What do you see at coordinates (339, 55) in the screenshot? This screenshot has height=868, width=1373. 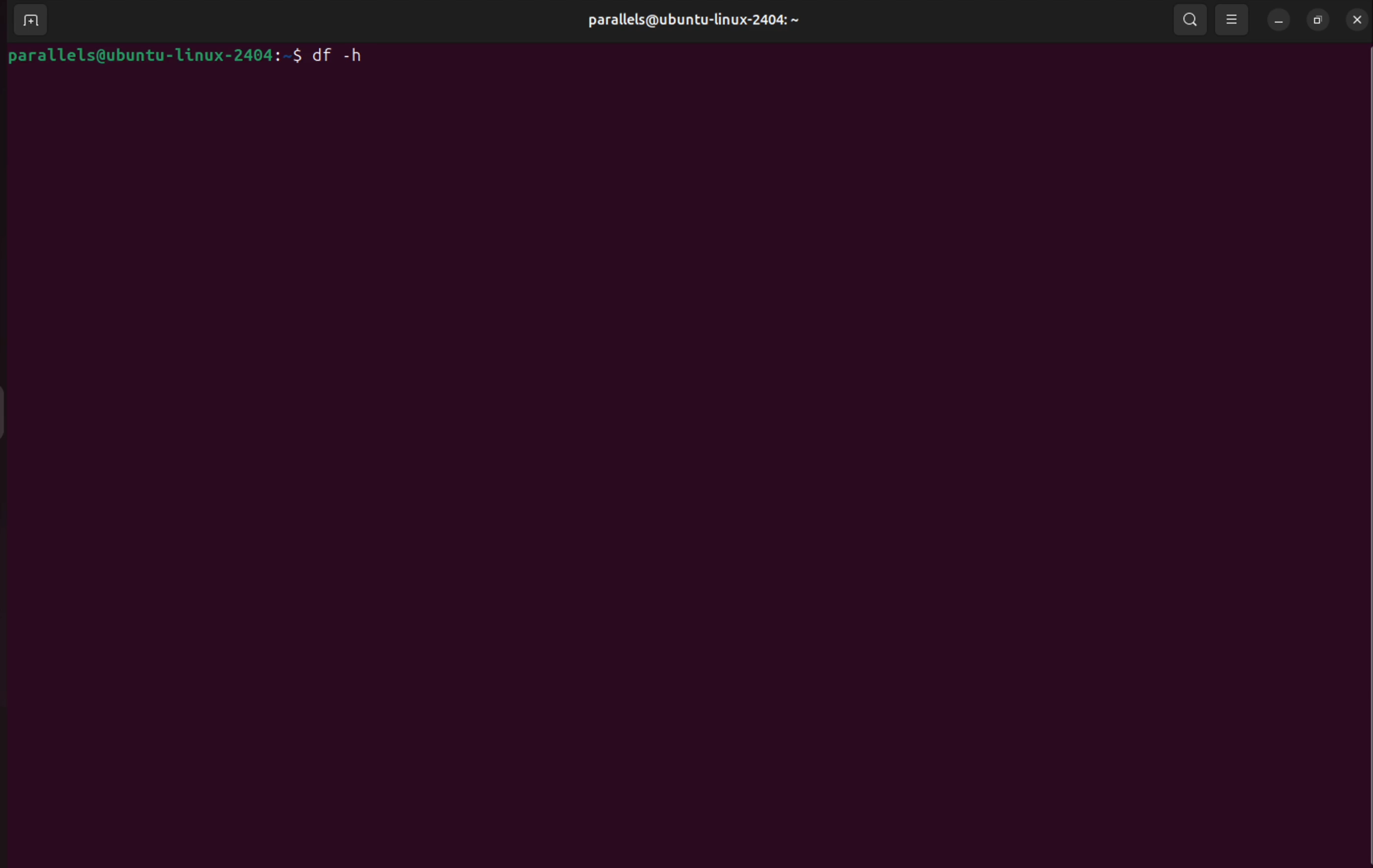 I see `df -h` at bounding box center [339, 55].